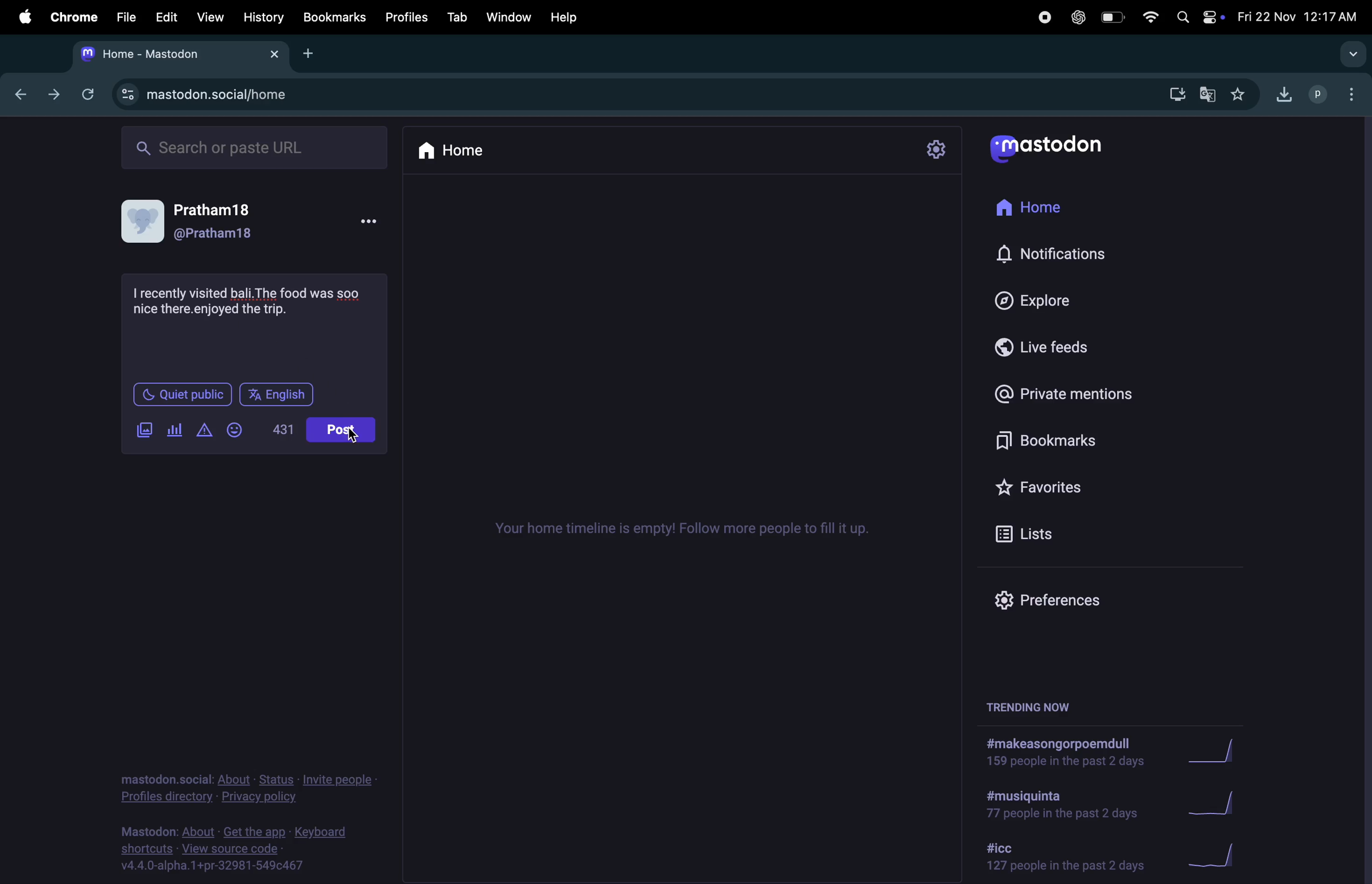  What do you see at coordinates (1037, 347) in the screenshot?
I see `live feed` at bounding box center [1037, 347].